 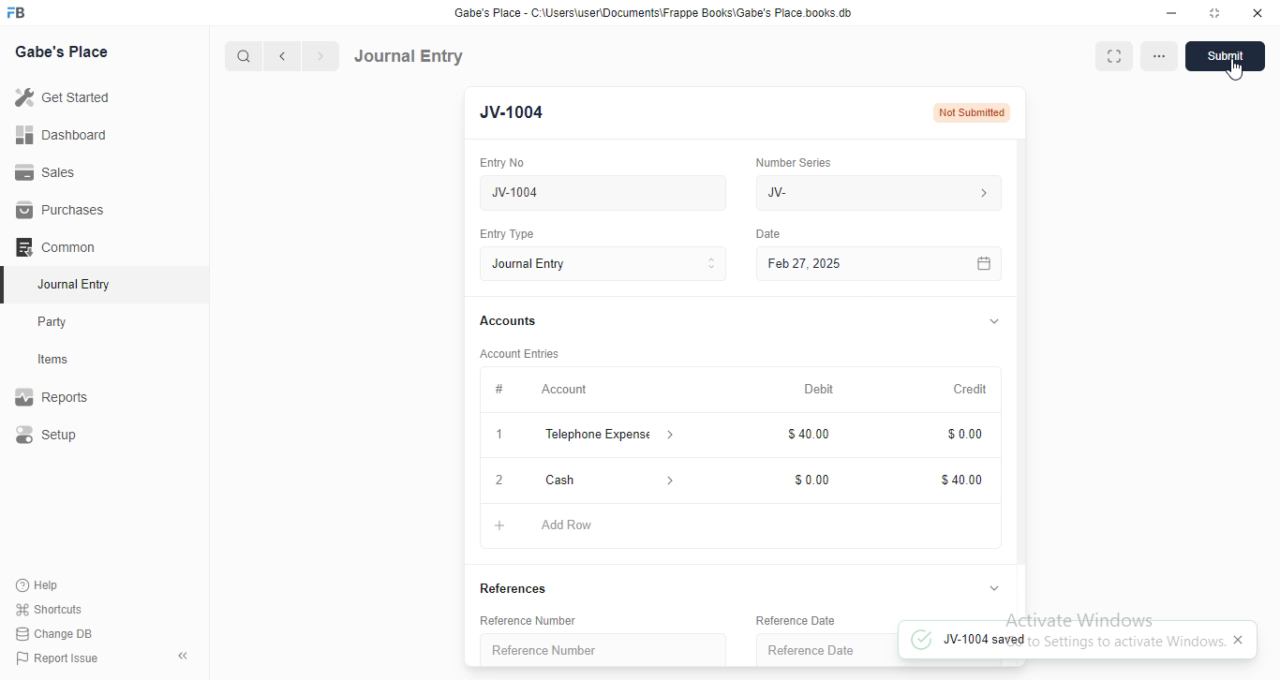 I want to click on Close, so click(x=1254, y=14).